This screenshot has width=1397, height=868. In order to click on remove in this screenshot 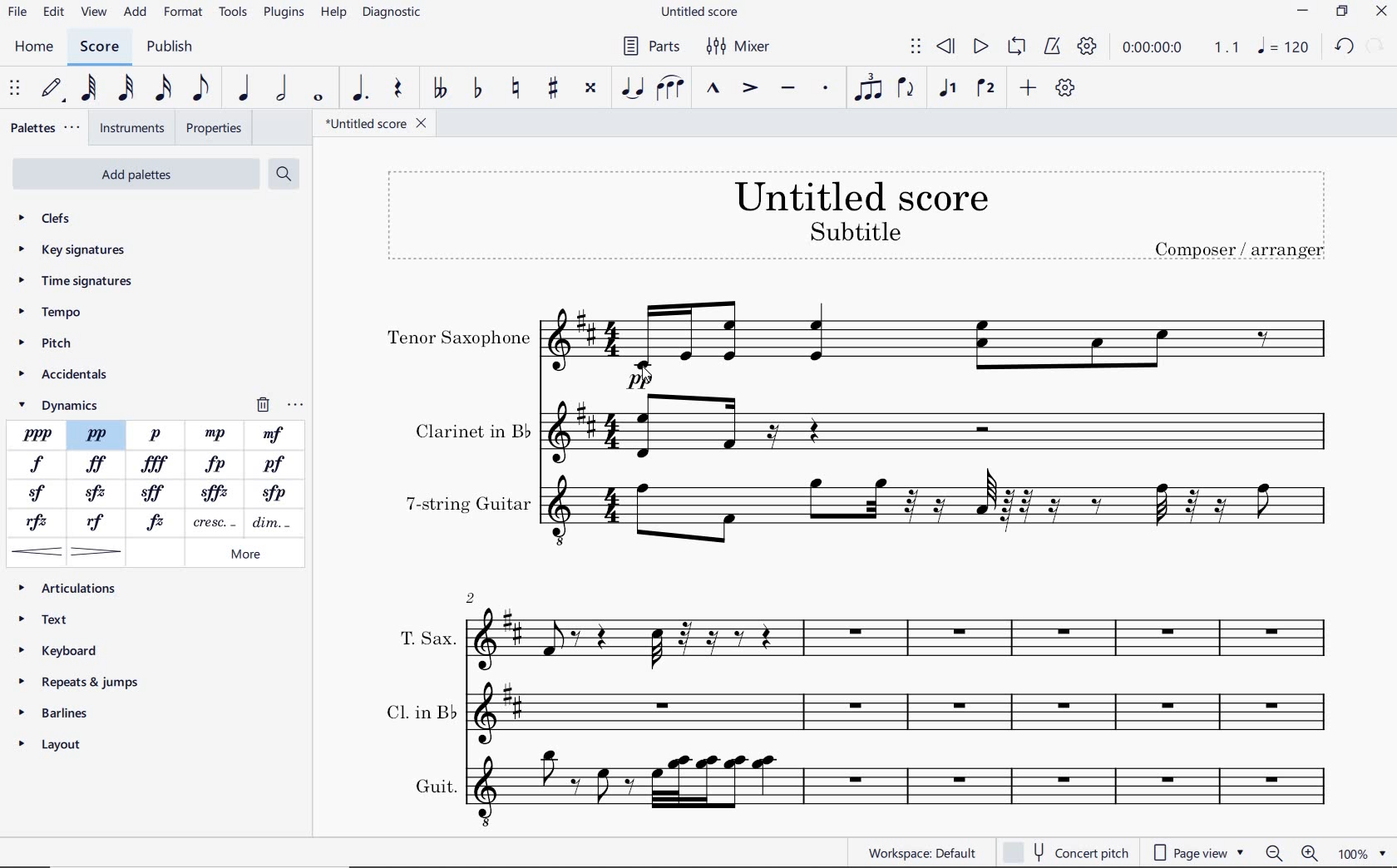, I will do `click(279, 405)`.